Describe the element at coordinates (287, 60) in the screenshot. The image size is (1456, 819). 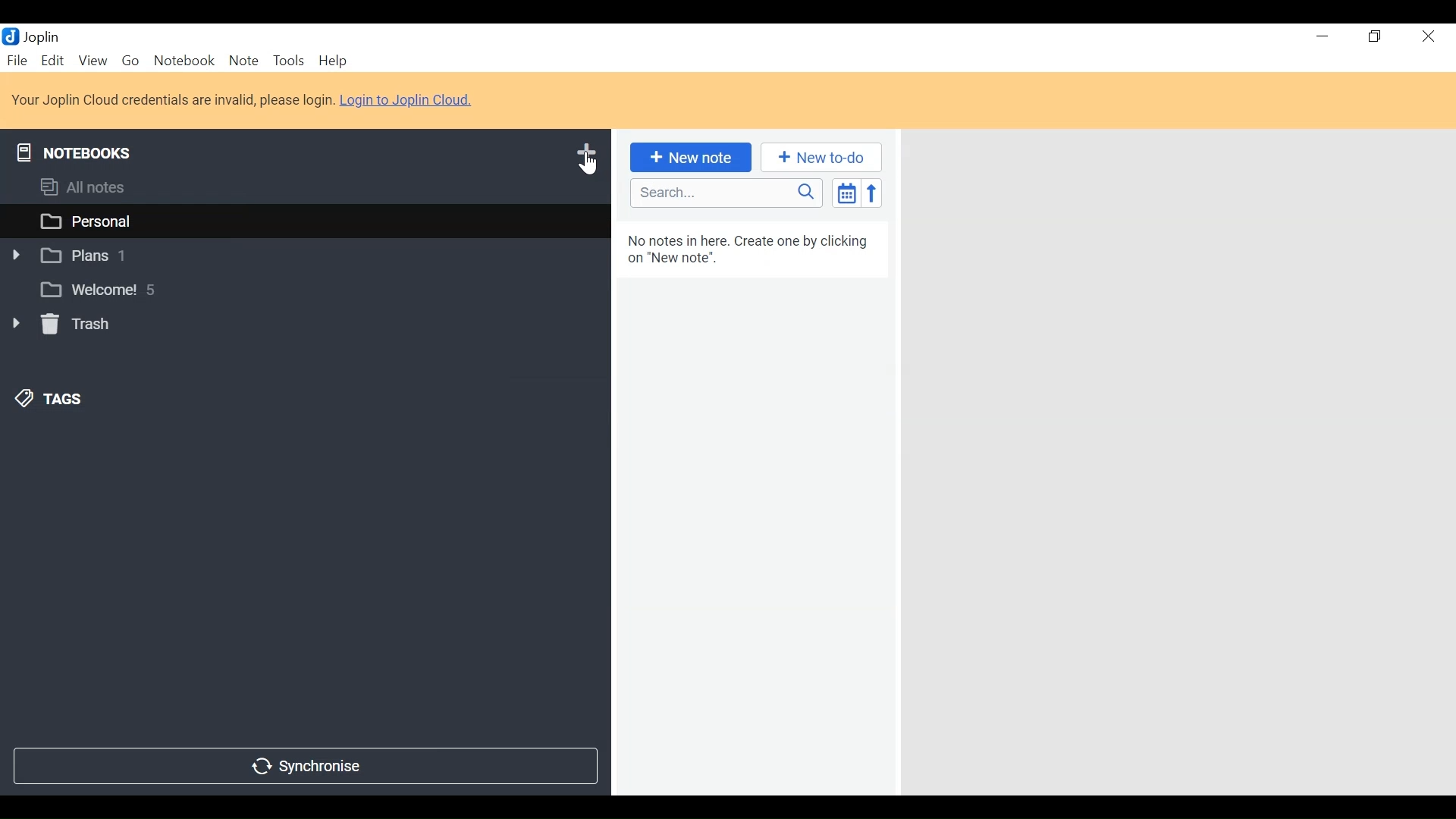
I see `Tools` at that location.